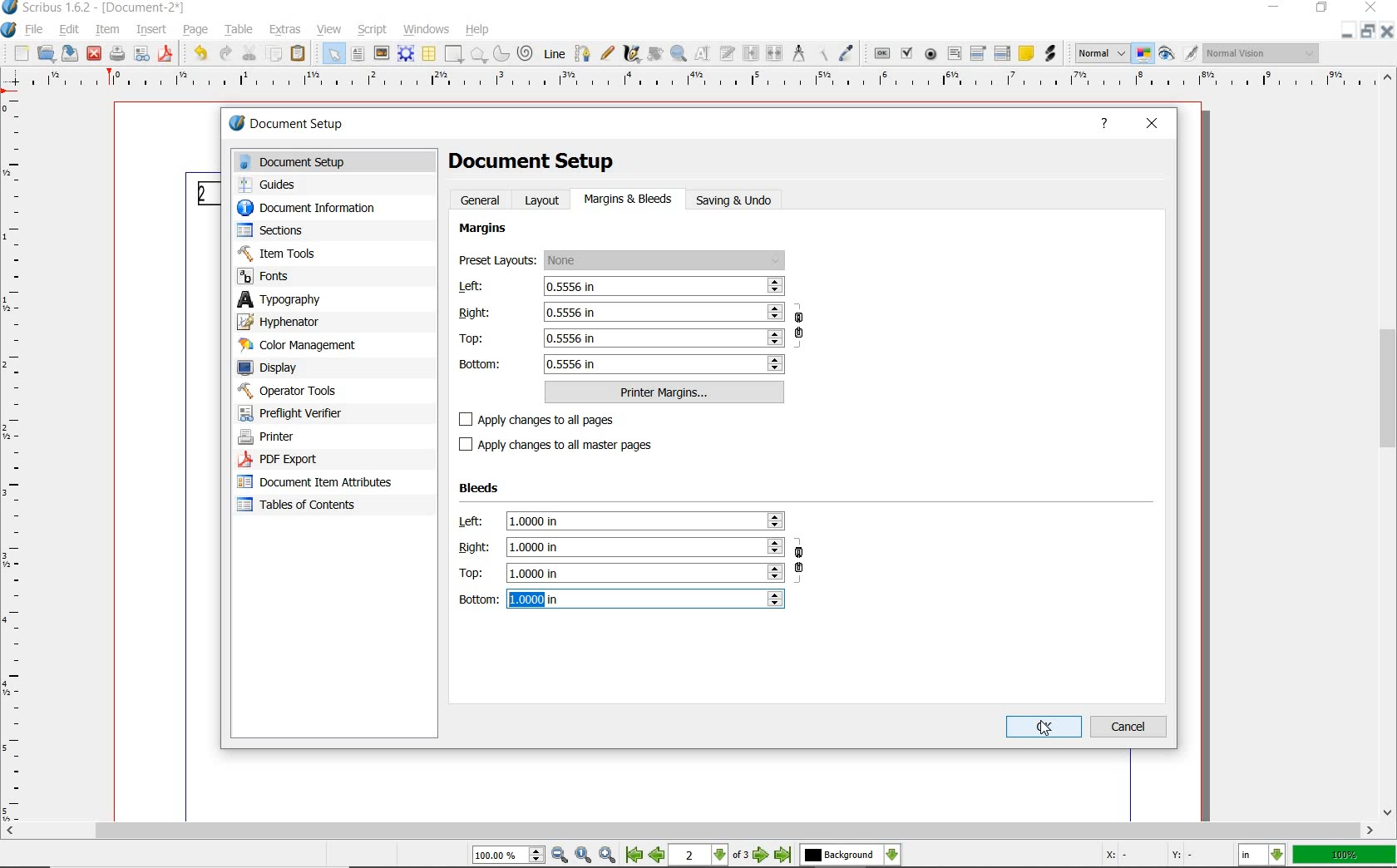 This screenshot has height=868, width=1397. What do you see at coordinates (555, 53) in the screenshot?
I see `line` at bounding box center [555, 53].